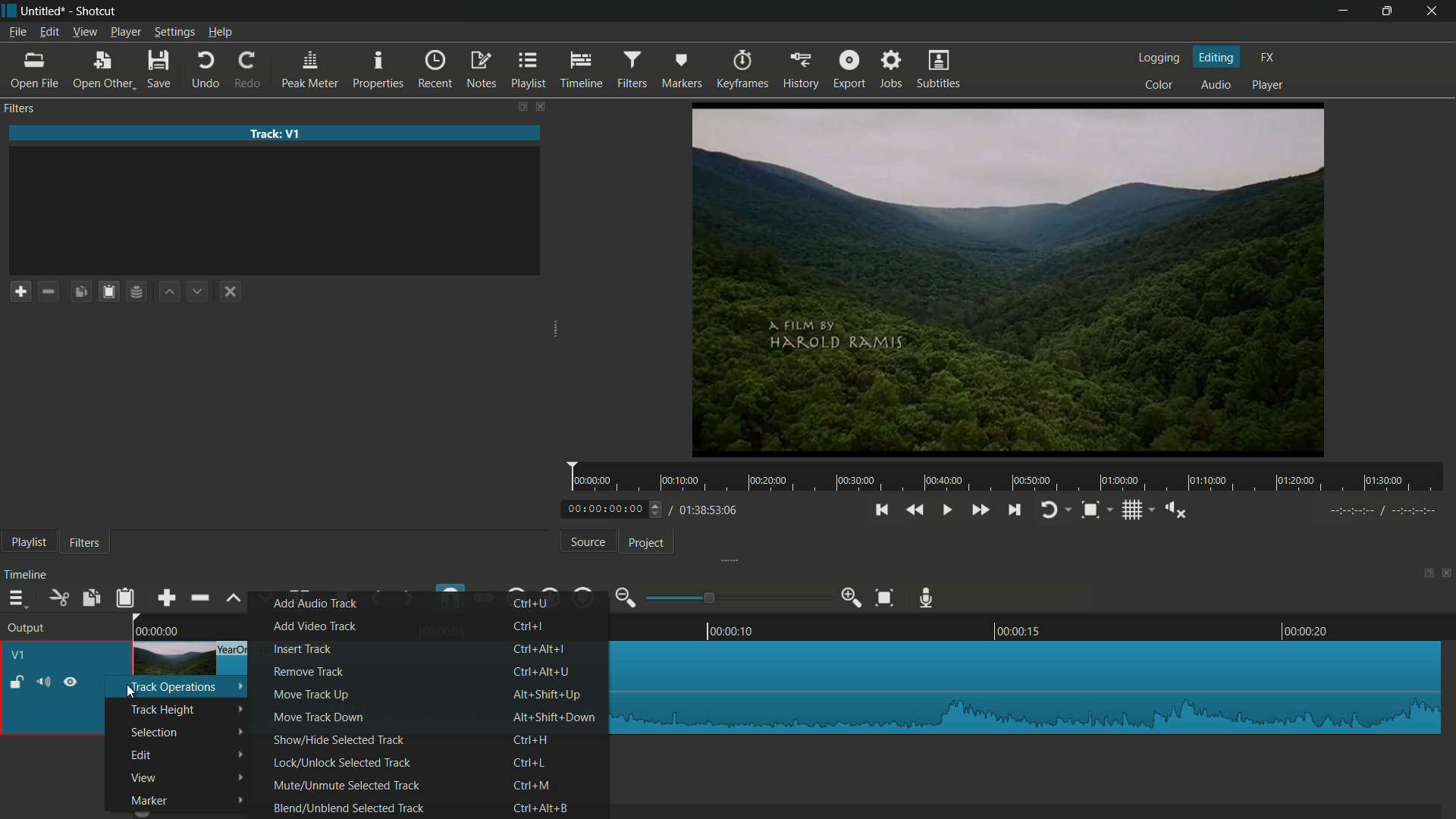 Image resolution: width=1456 pixels, height=819 pixels. I want to click on Cursor, so click(124, 692).